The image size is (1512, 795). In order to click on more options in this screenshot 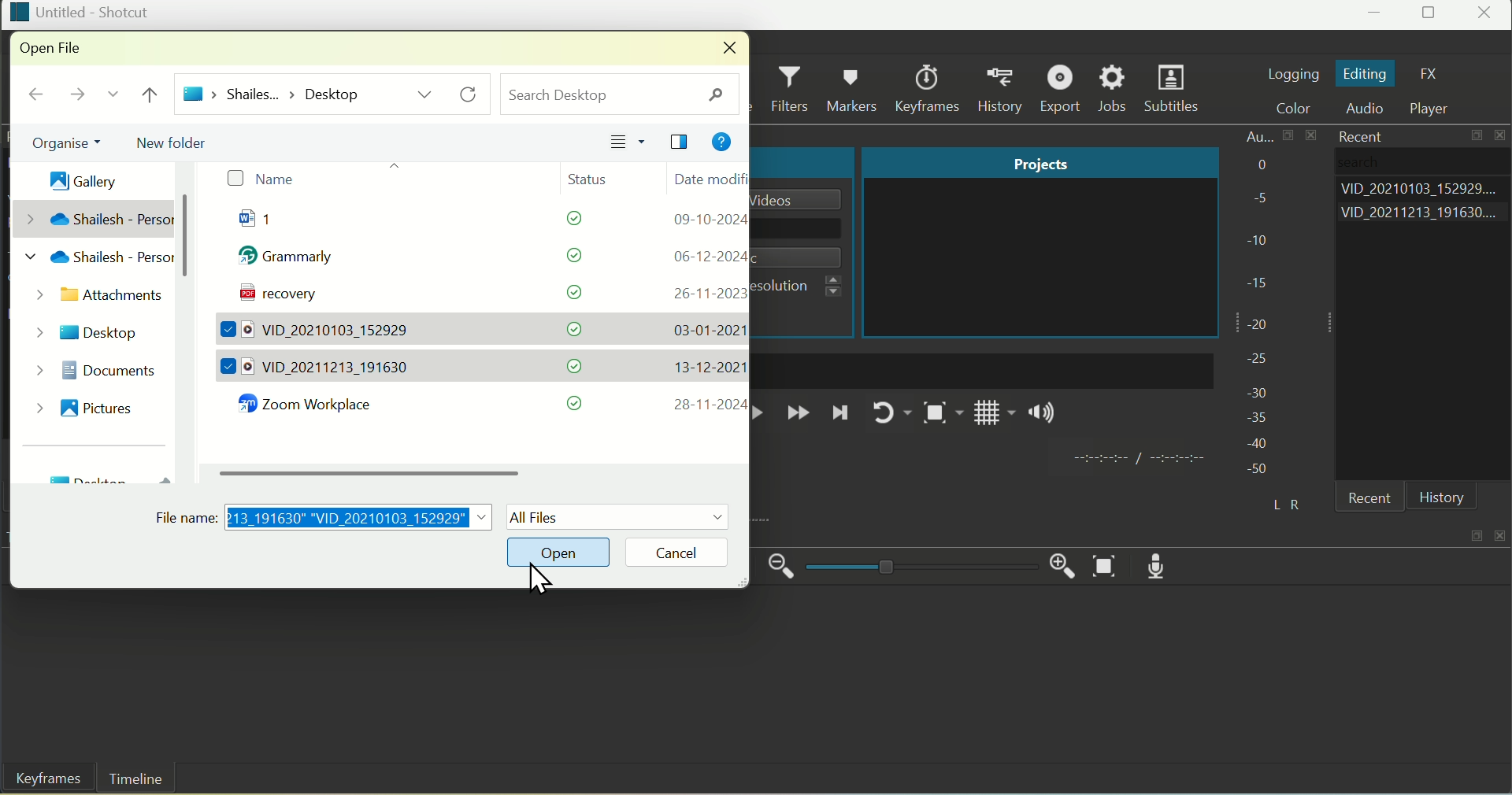, I will do `click(425, 94)`.